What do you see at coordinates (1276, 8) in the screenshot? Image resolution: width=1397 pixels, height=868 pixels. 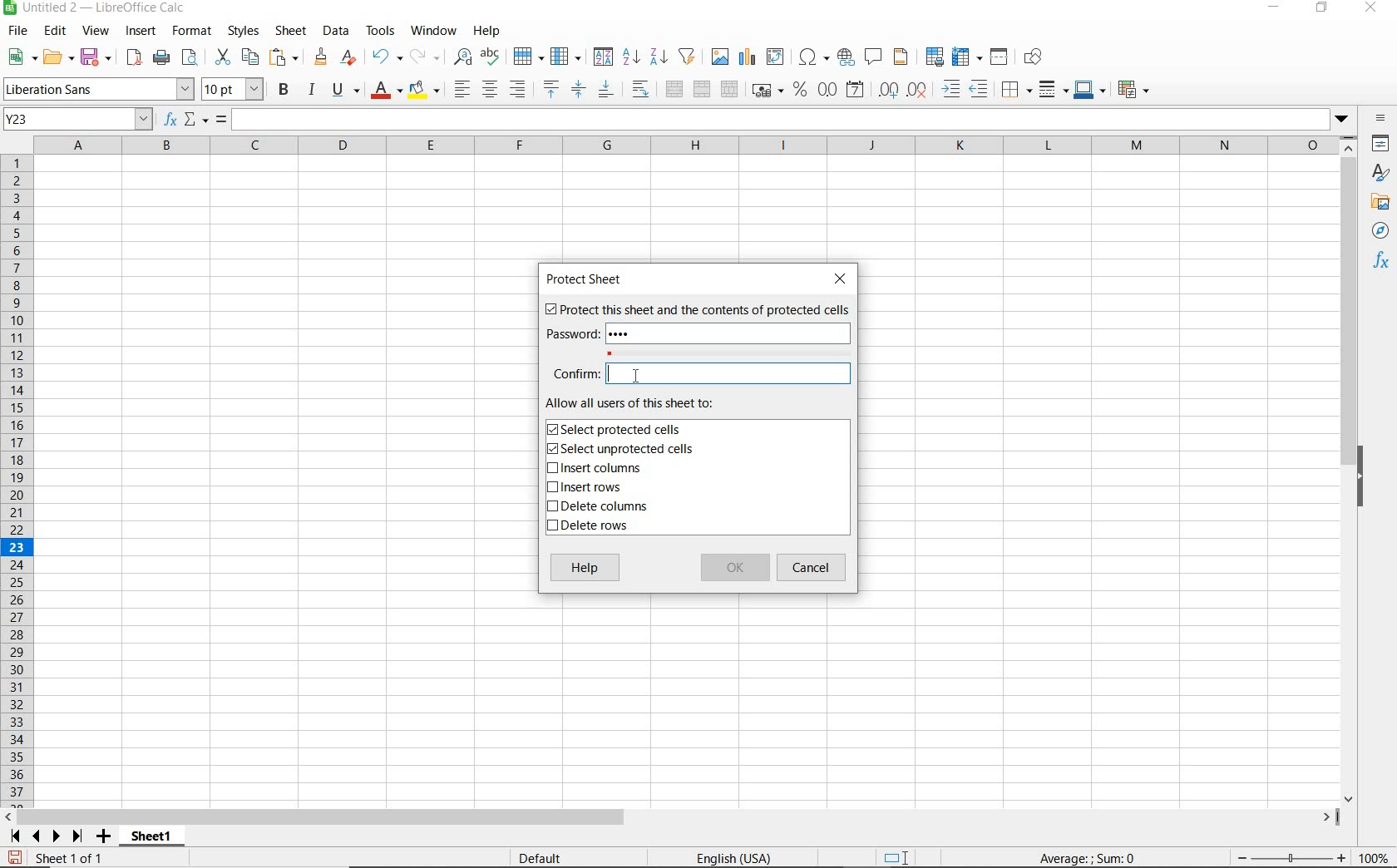 I see `MINIMIZE` at bounding box center [1276, 8].